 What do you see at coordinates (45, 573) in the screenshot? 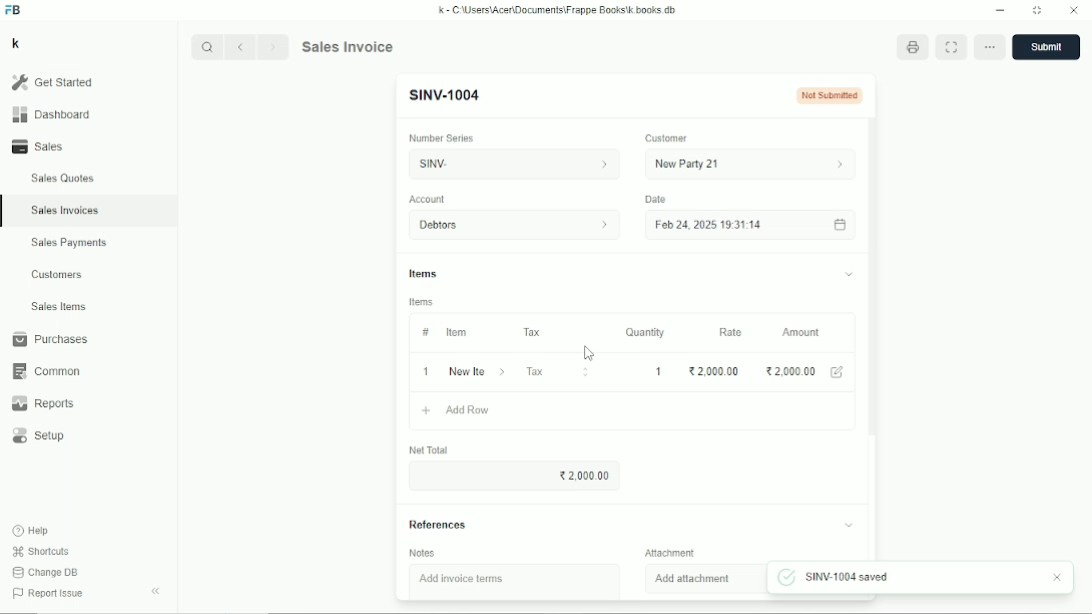
I see `Change DB` at bounding box center [45, 573].